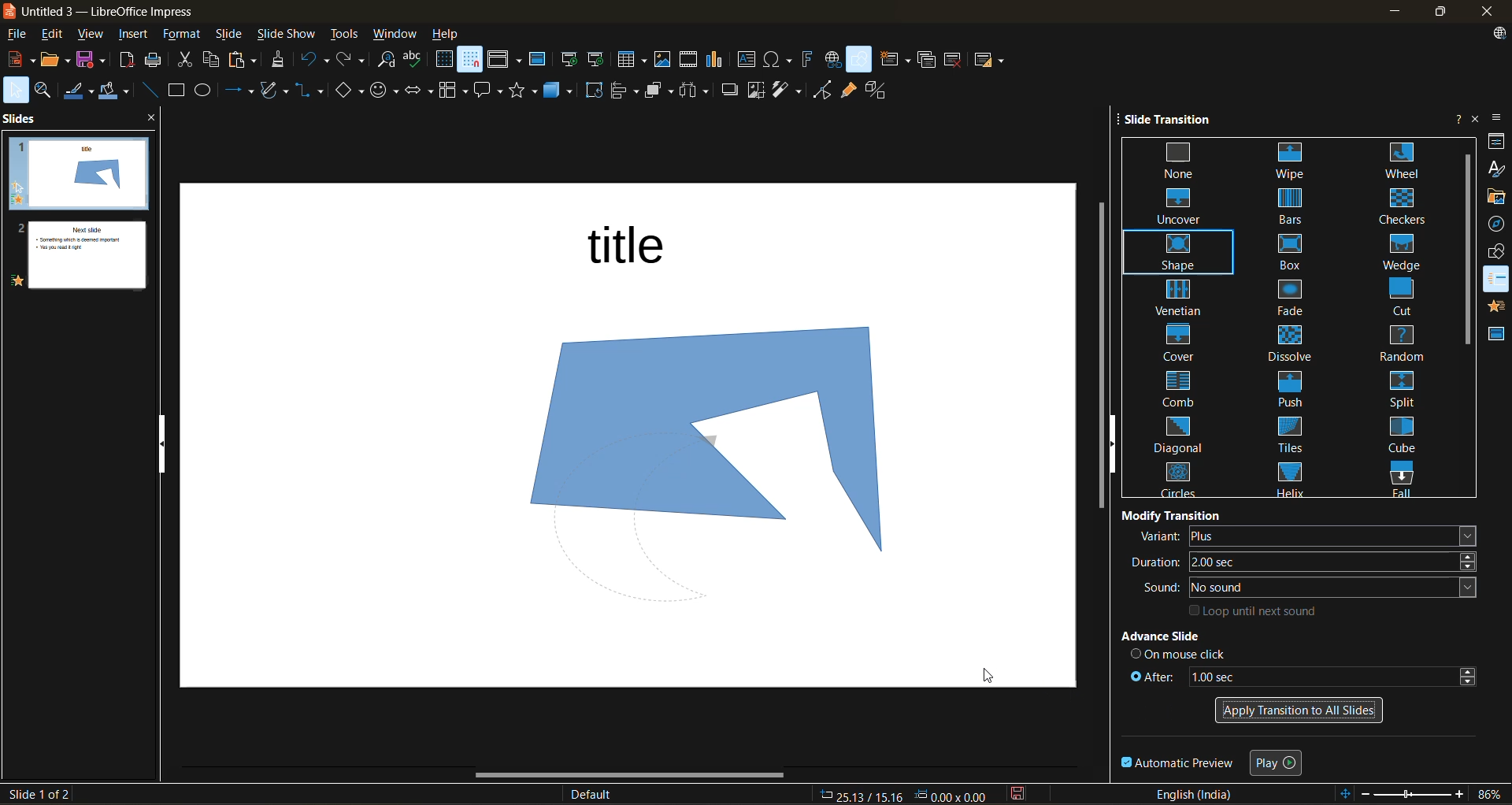  What do you see at coordinates (243, 61) in the screenshot?
I see `paste` at bounding box center [243, 61].